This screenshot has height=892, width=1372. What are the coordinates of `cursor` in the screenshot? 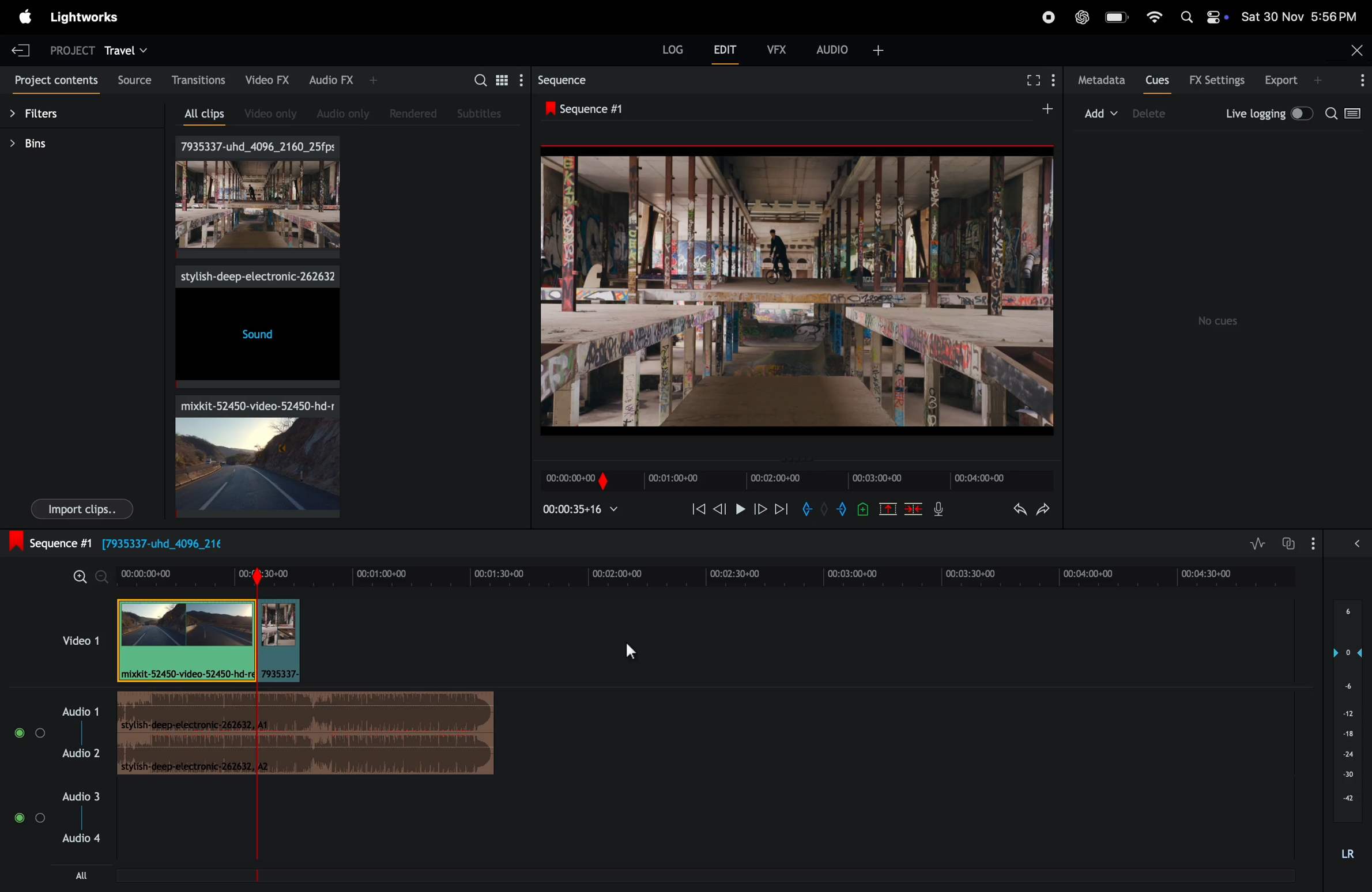 It's located at (630, 649).